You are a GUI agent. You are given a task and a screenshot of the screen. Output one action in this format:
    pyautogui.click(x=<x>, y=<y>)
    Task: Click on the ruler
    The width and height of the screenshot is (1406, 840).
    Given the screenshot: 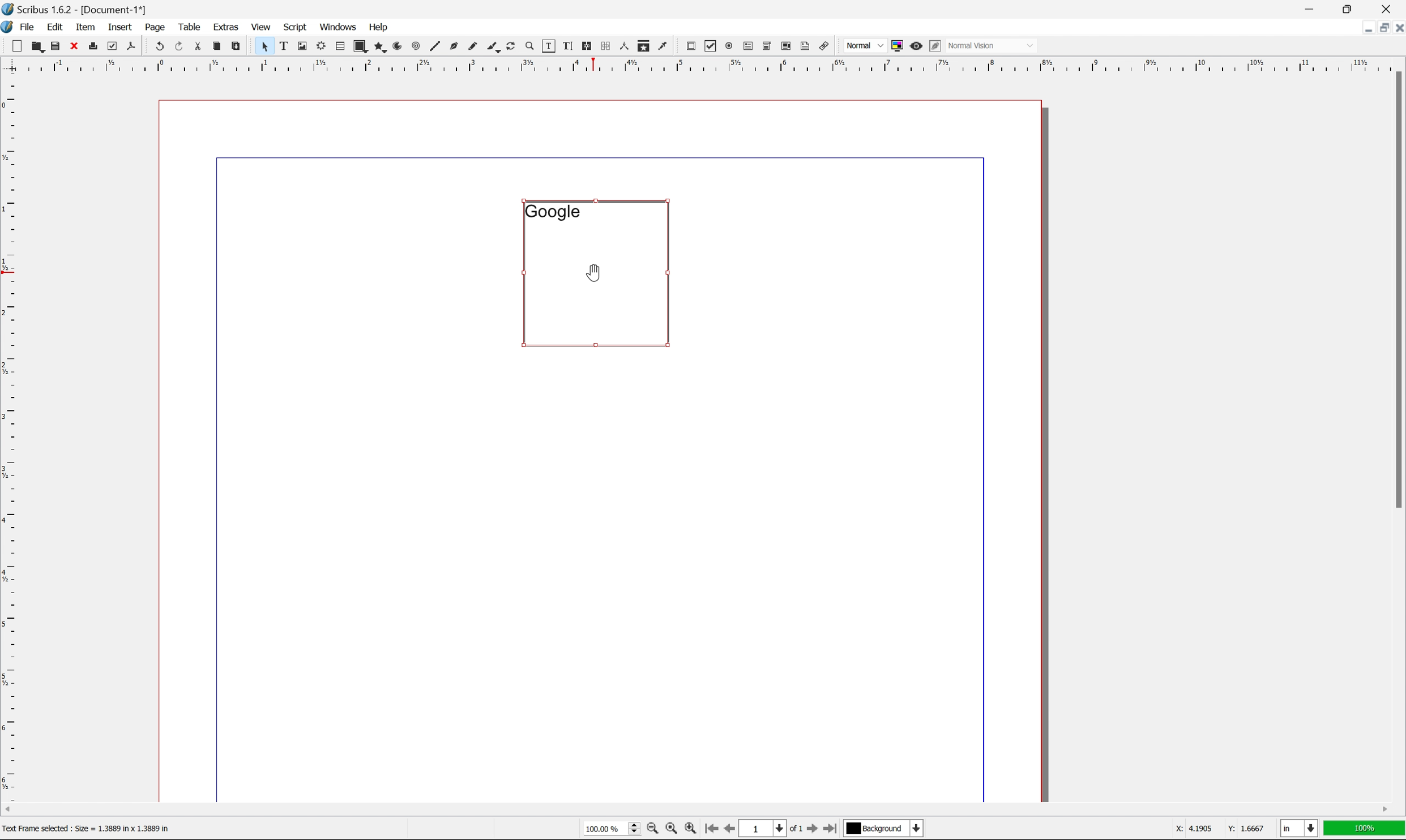 What is the action you would take?
    pyautogui.click(x=10, y=436)
    